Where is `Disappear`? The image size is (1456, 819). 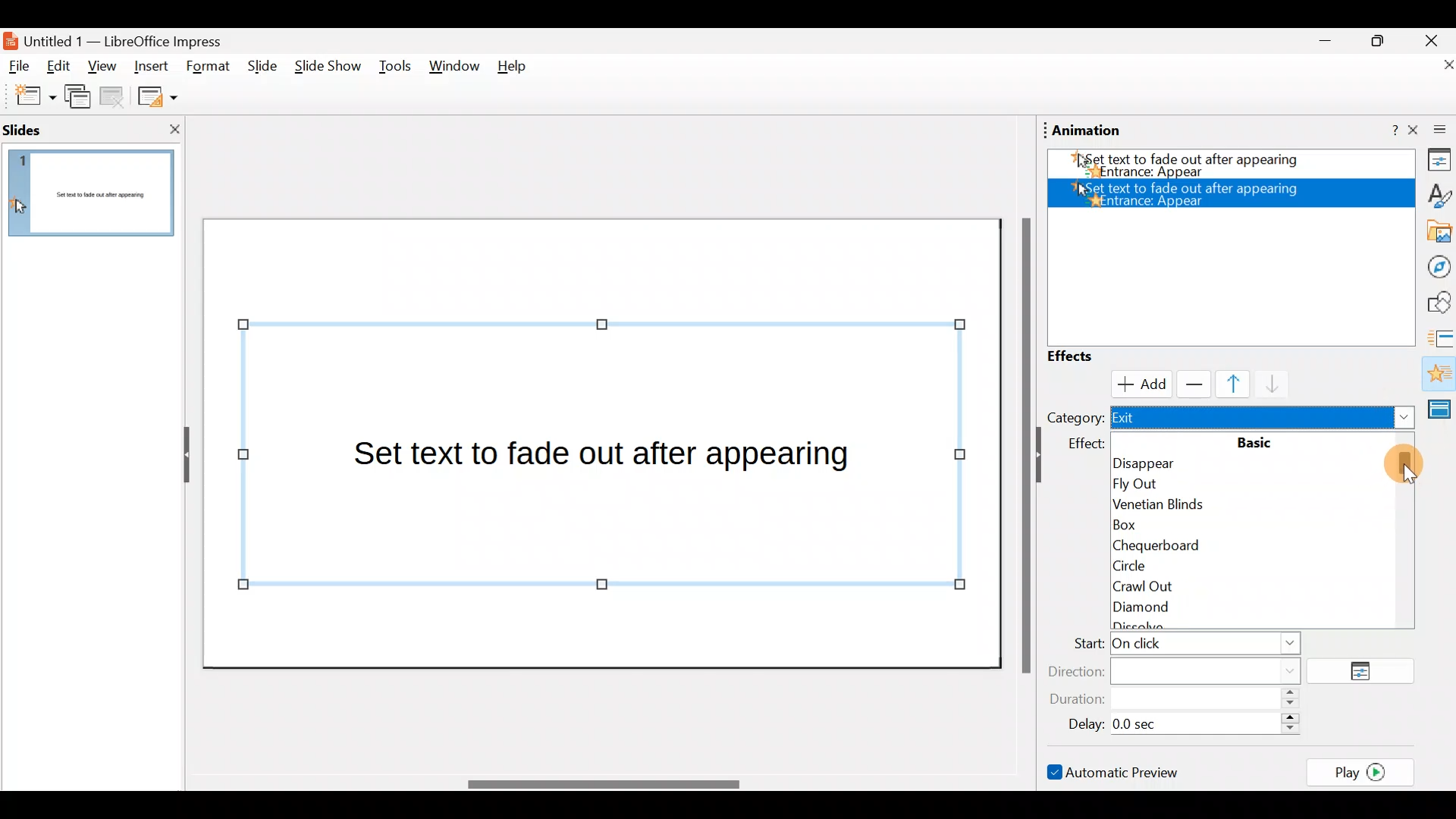 Disappear is located at coordinates (1241, 461).